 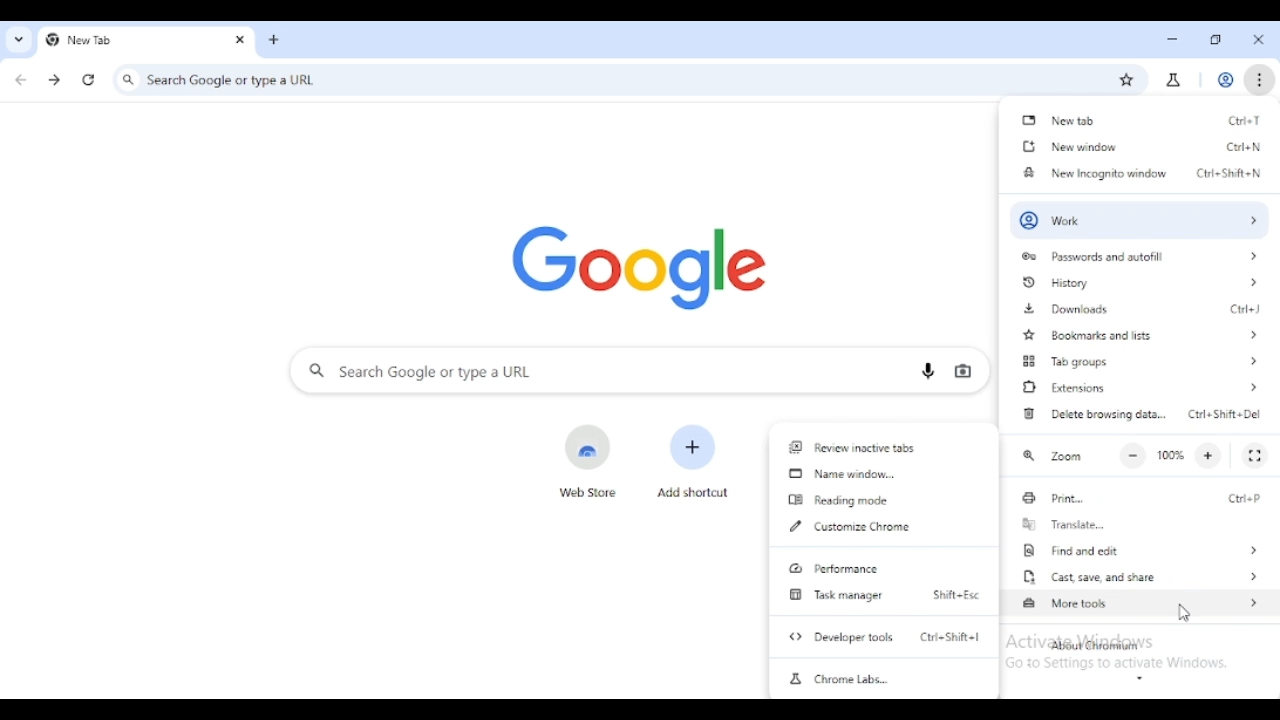 I want to click on shortcut for new tab, so click(x=1245, y=120).